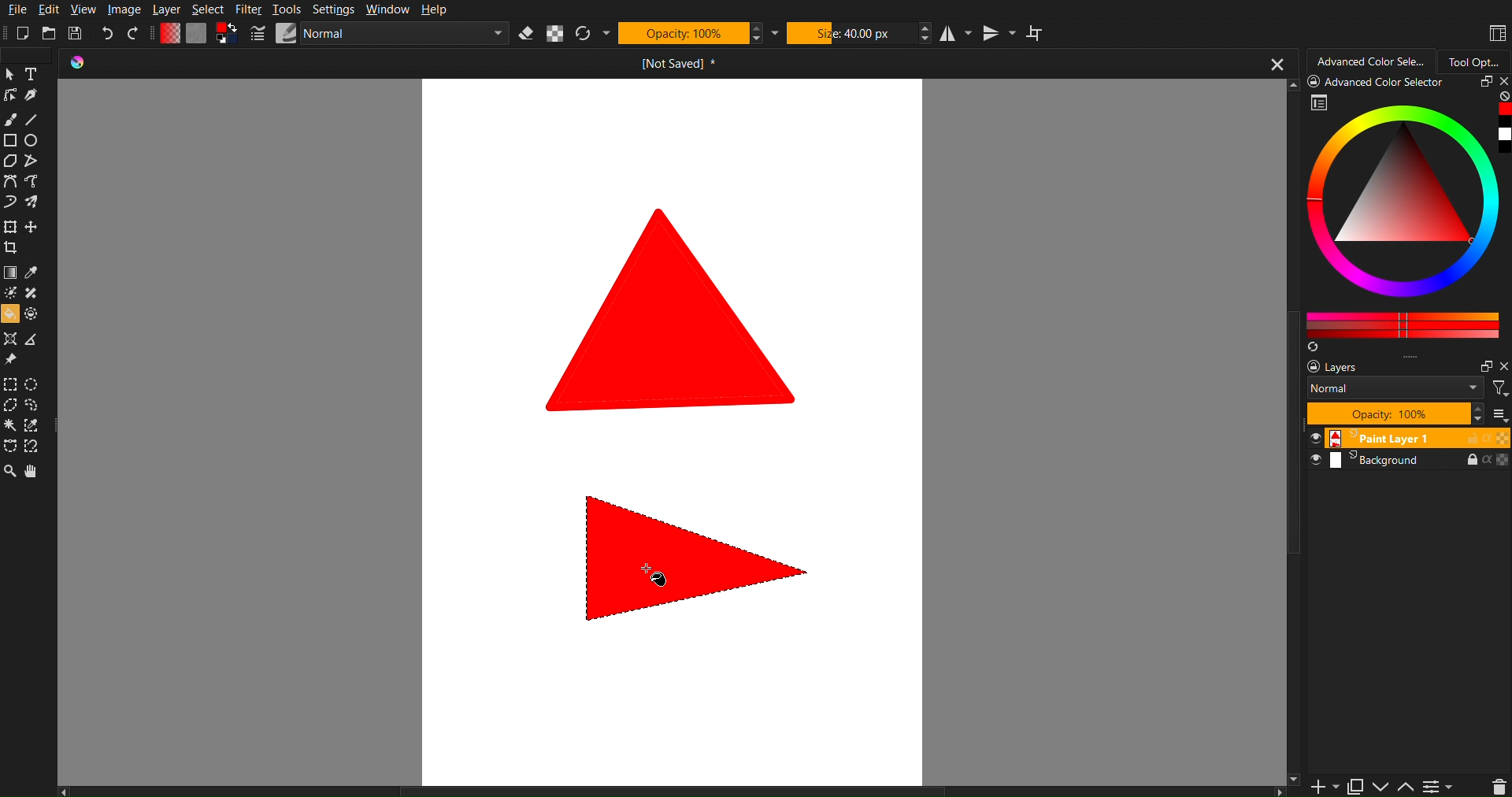 This screenshot has height=797, width=1512. What do you see at coordinates (9, 141) in the screenshot?
I see `Square` at bounding box center [9, 141].